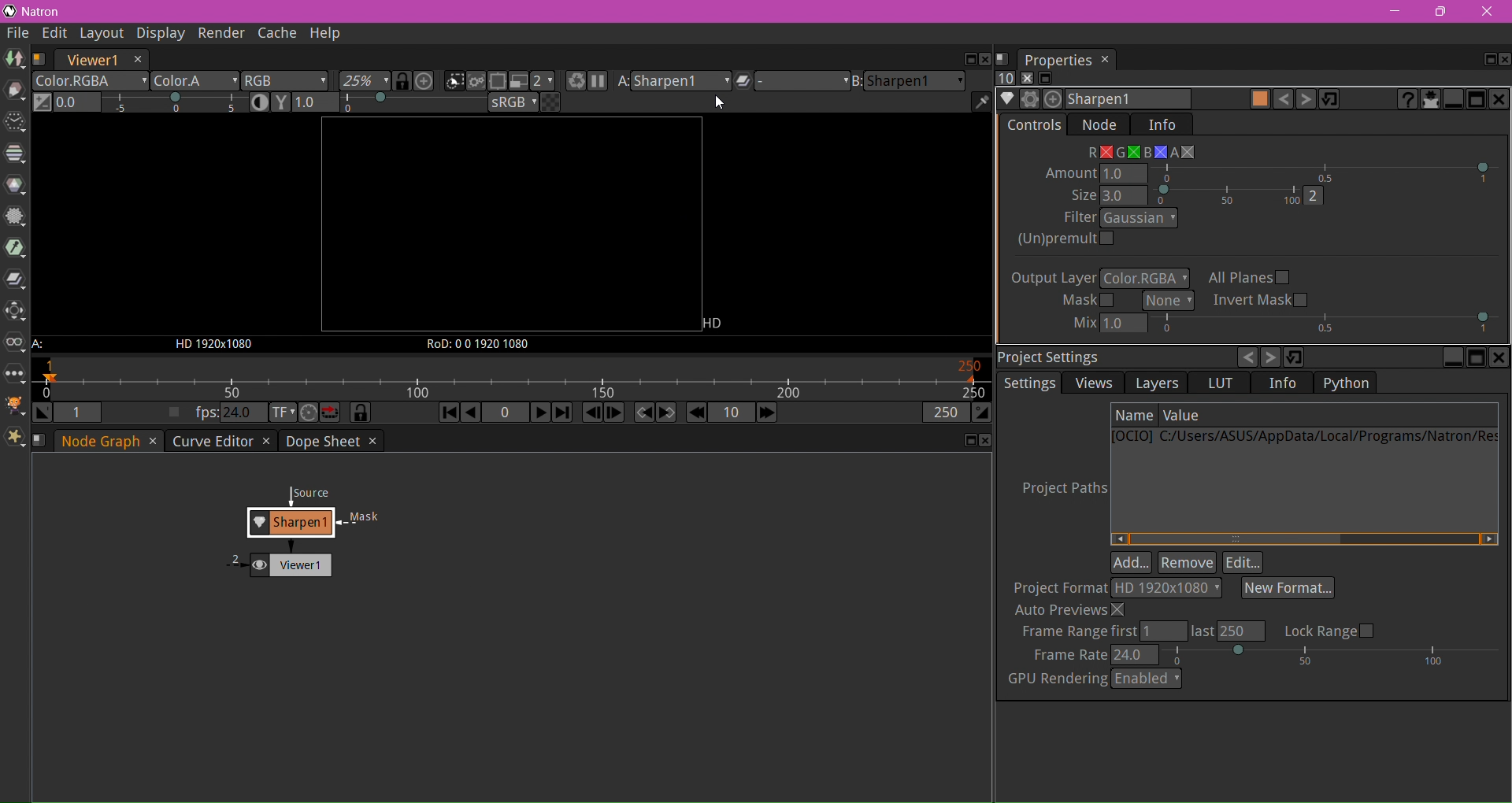 The width and height of the screenshot is (1512, 803). I want to click on Restore default value for this operator, so click(1295, 358).